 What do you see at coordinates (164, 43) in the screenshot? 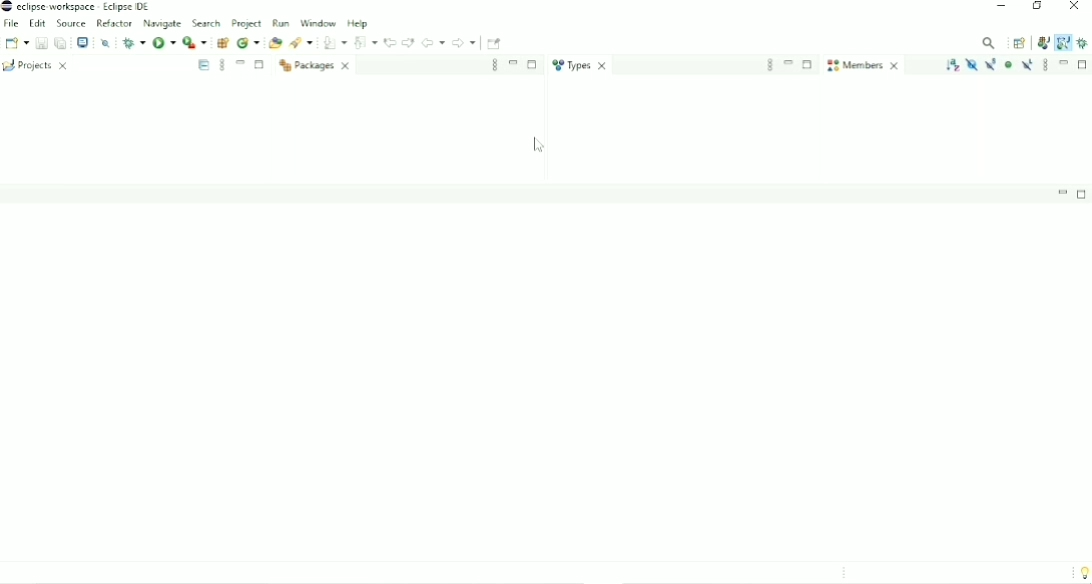
I see `Run` at bounding box center [164, 43].